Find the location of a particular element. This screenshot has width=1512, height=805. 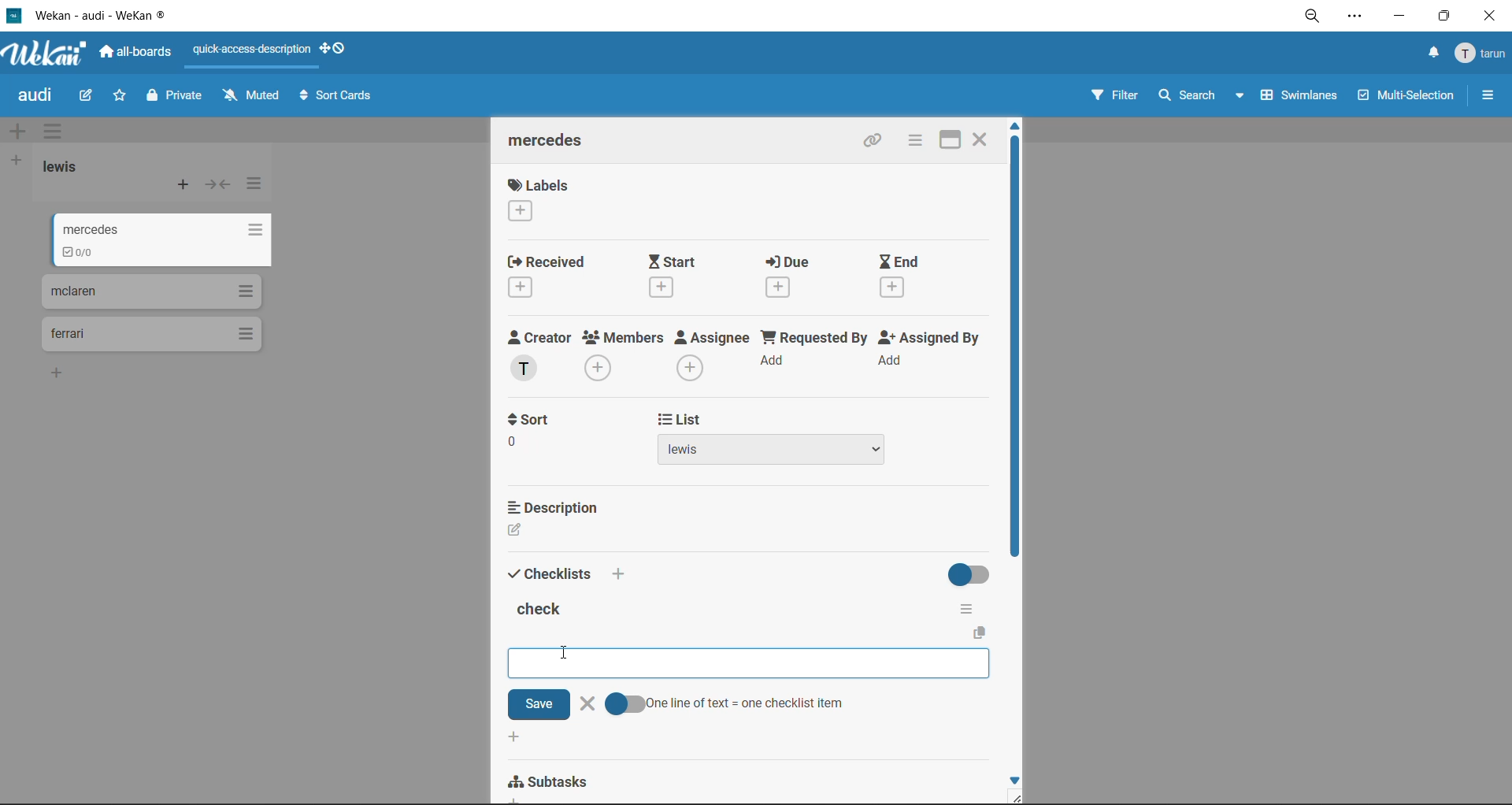

sort is located at coordinates (547, 451).